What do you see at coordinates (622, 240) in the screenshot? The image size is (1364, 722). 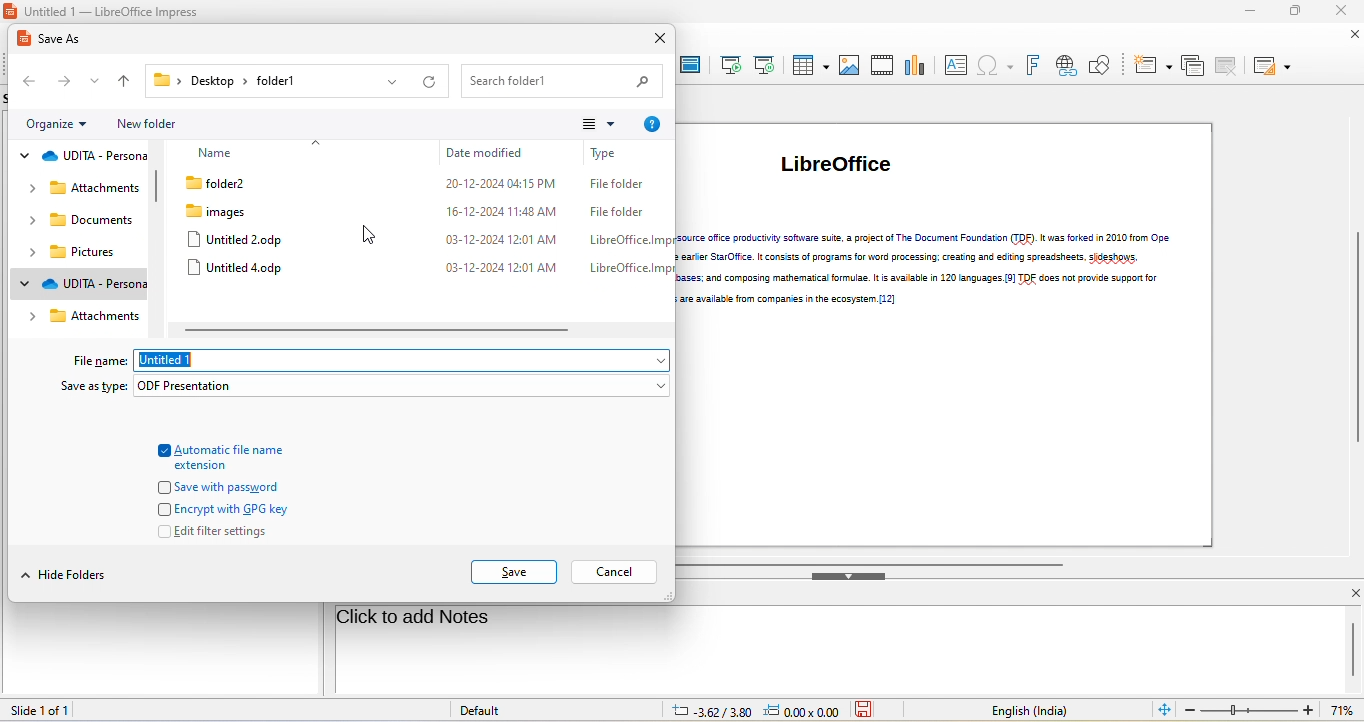 I see `LibreOffice.Img` at bounding box center [622, 240].